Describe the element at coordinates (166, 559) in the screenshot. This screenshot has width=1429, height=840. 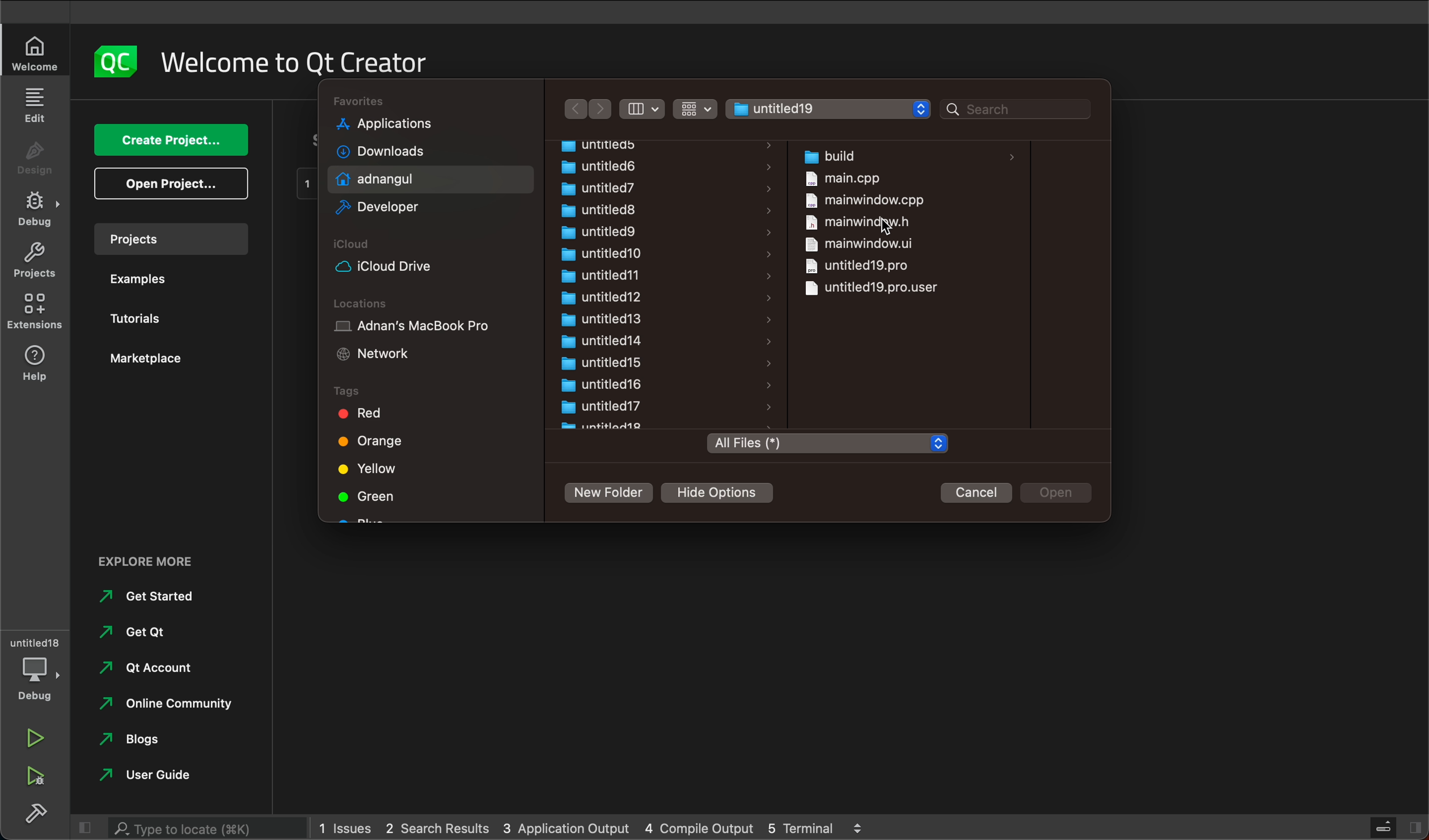
I see `external ` at that location.